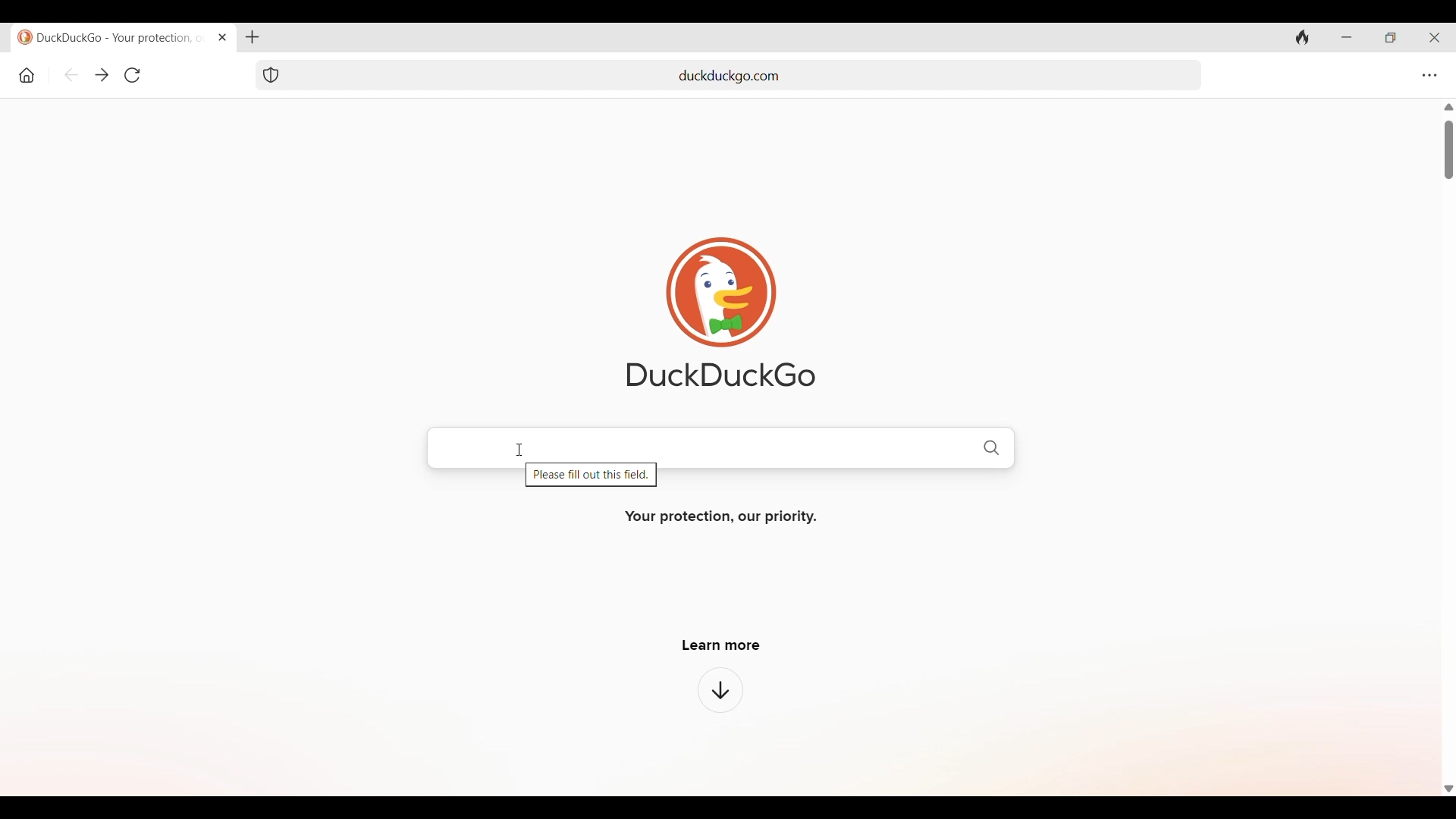 Image resolution: width=1456 pixels, height=819 pixels. What do you see at coordinates (1391, 37) in the screenshot?
I see `Show interface in a smaller tab` at bounding box center [1391, 37].